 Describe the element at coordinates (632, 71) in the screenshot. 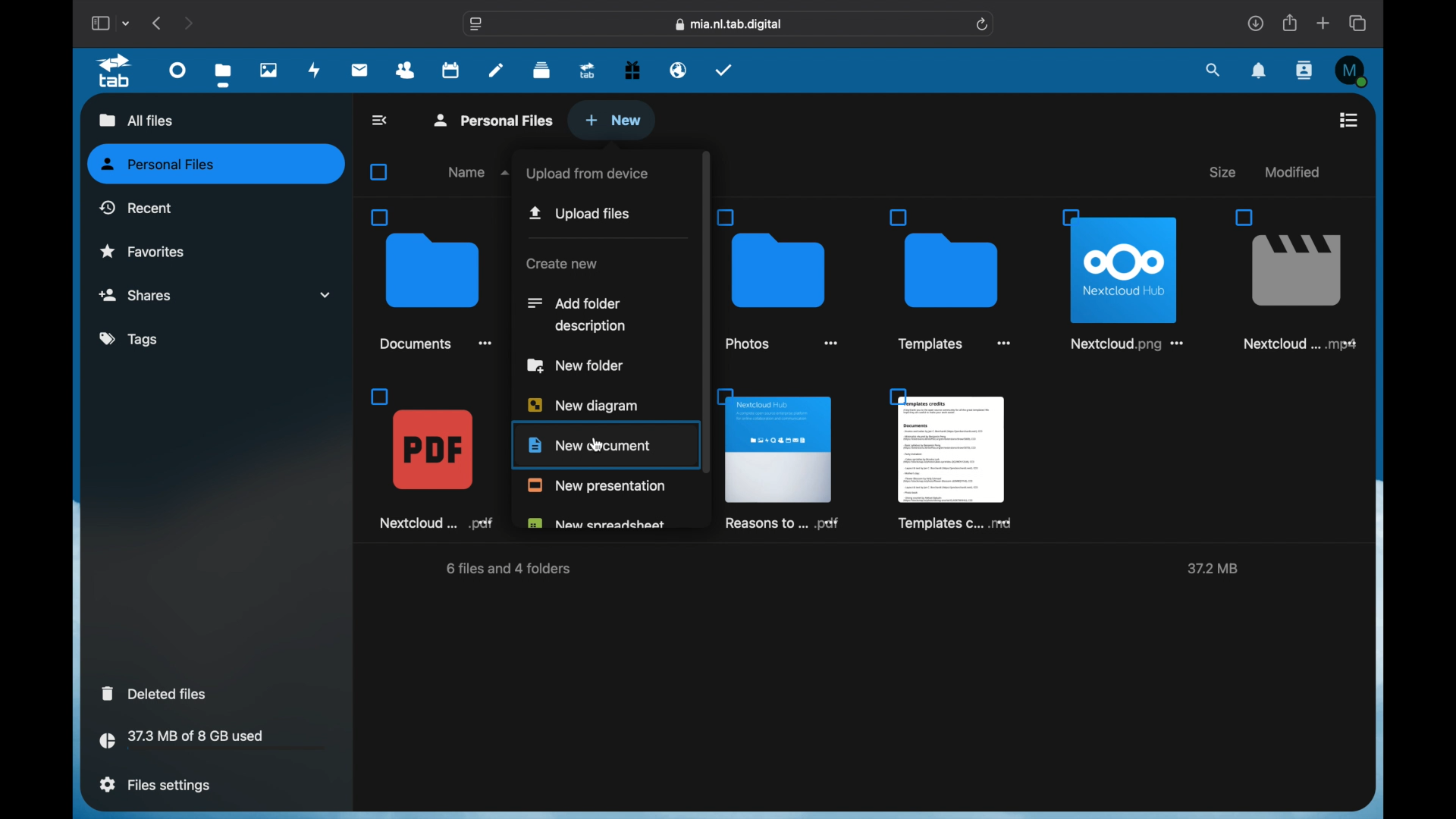

I see `free trial` at that location.